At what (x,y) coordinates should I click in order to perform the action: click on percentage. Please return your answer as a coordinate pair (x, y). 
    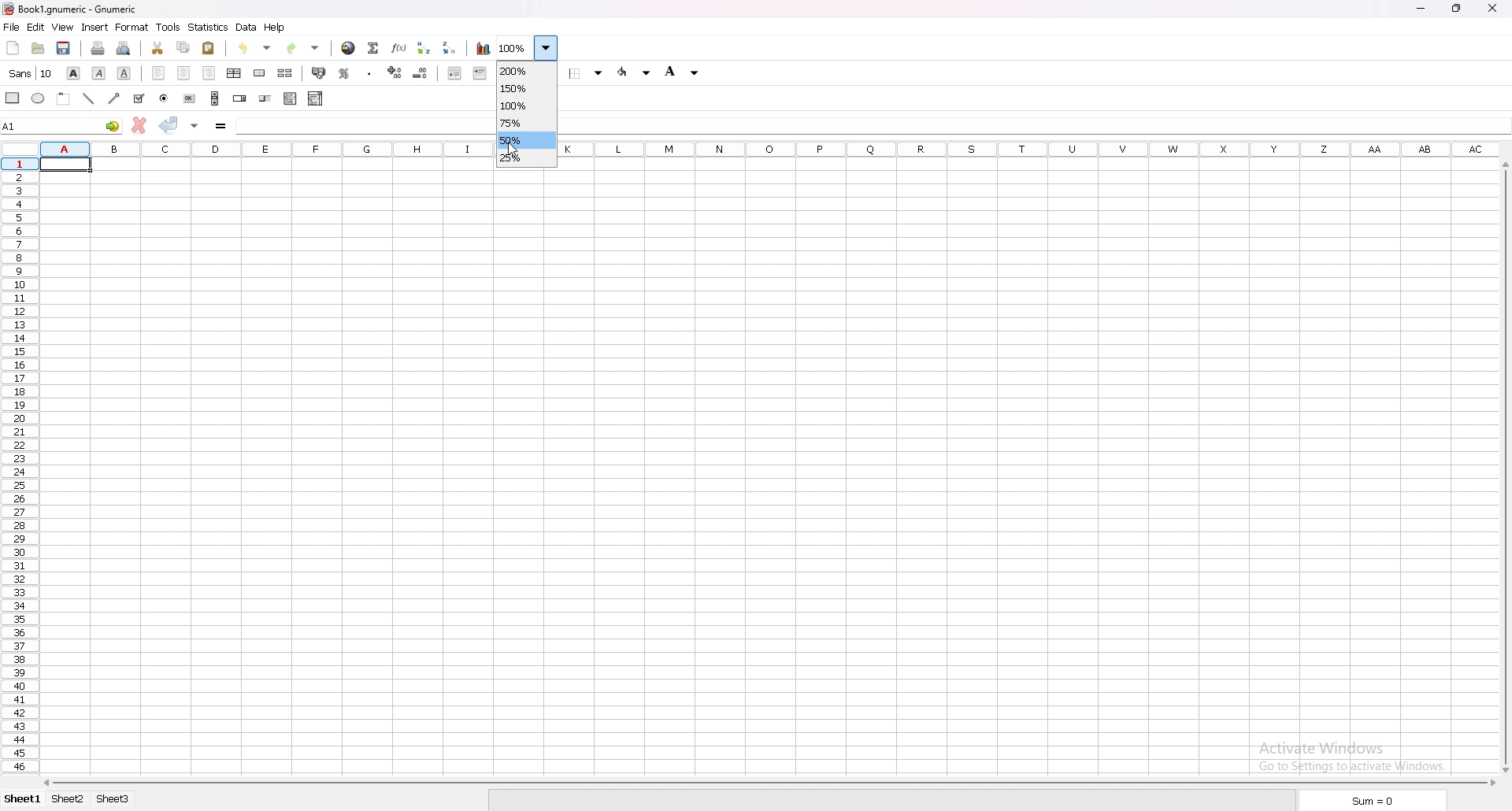
    Looking at the image, I should click on (344, 73).